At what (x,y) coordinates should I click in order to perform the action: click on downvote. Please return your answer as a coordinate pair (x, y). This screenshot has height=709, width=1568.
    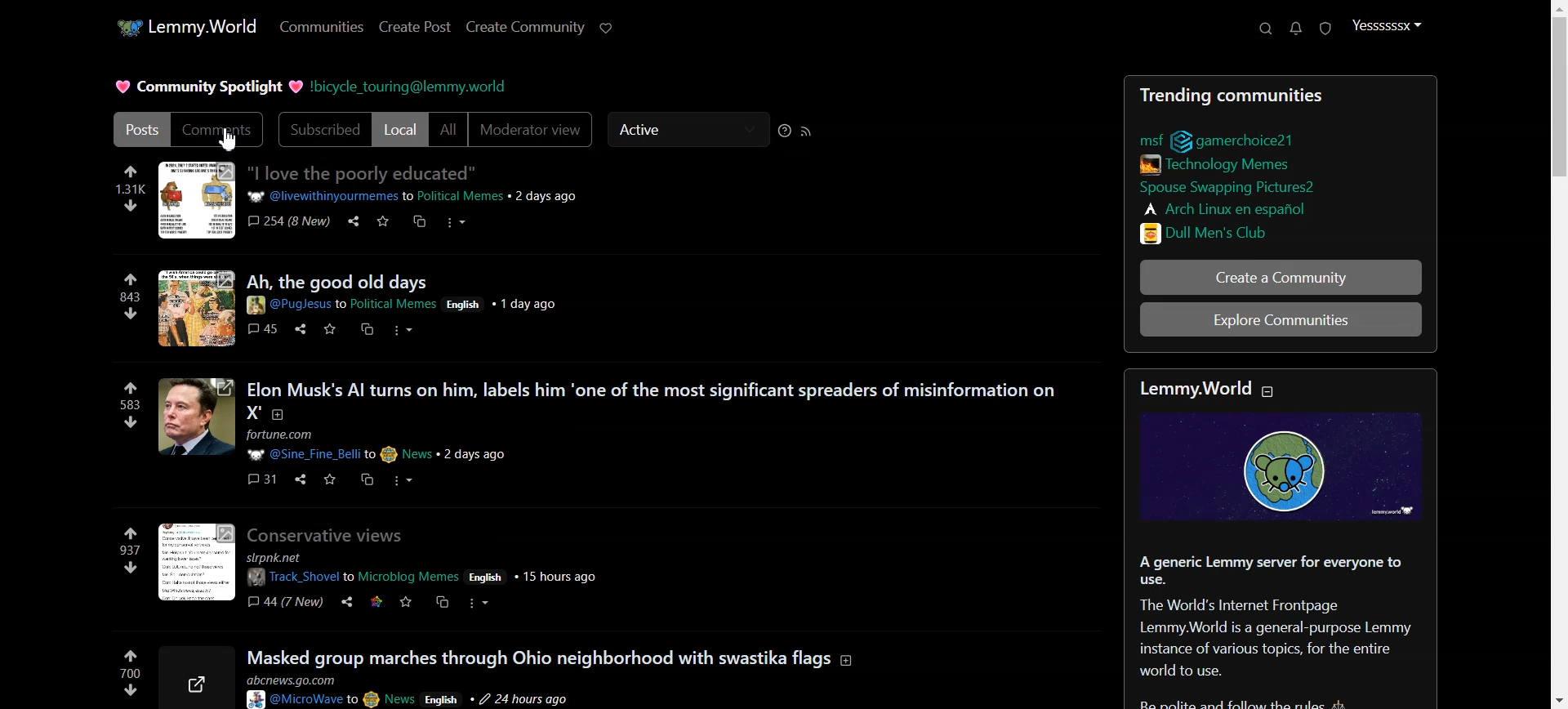
    Looking at the image, I should click on (129, 204).